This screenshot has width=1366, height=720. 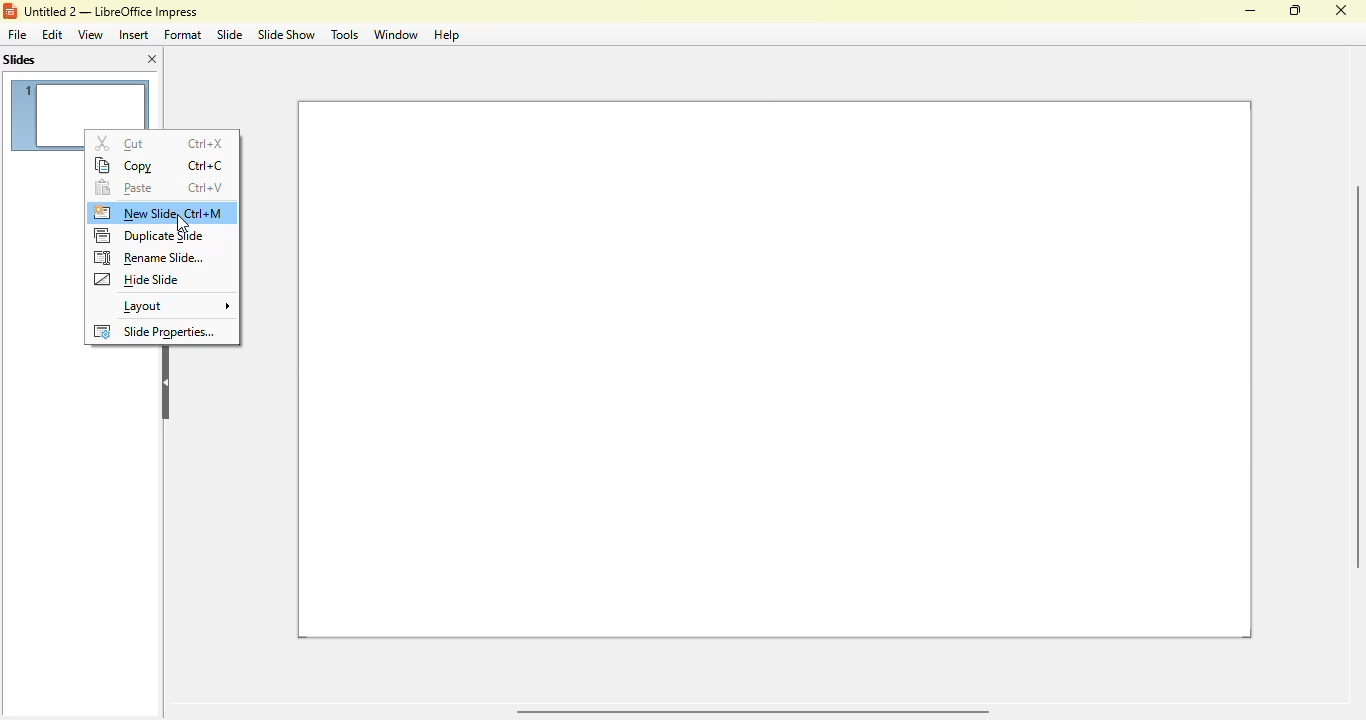 I want to click on help, so click(x=447, y=35).